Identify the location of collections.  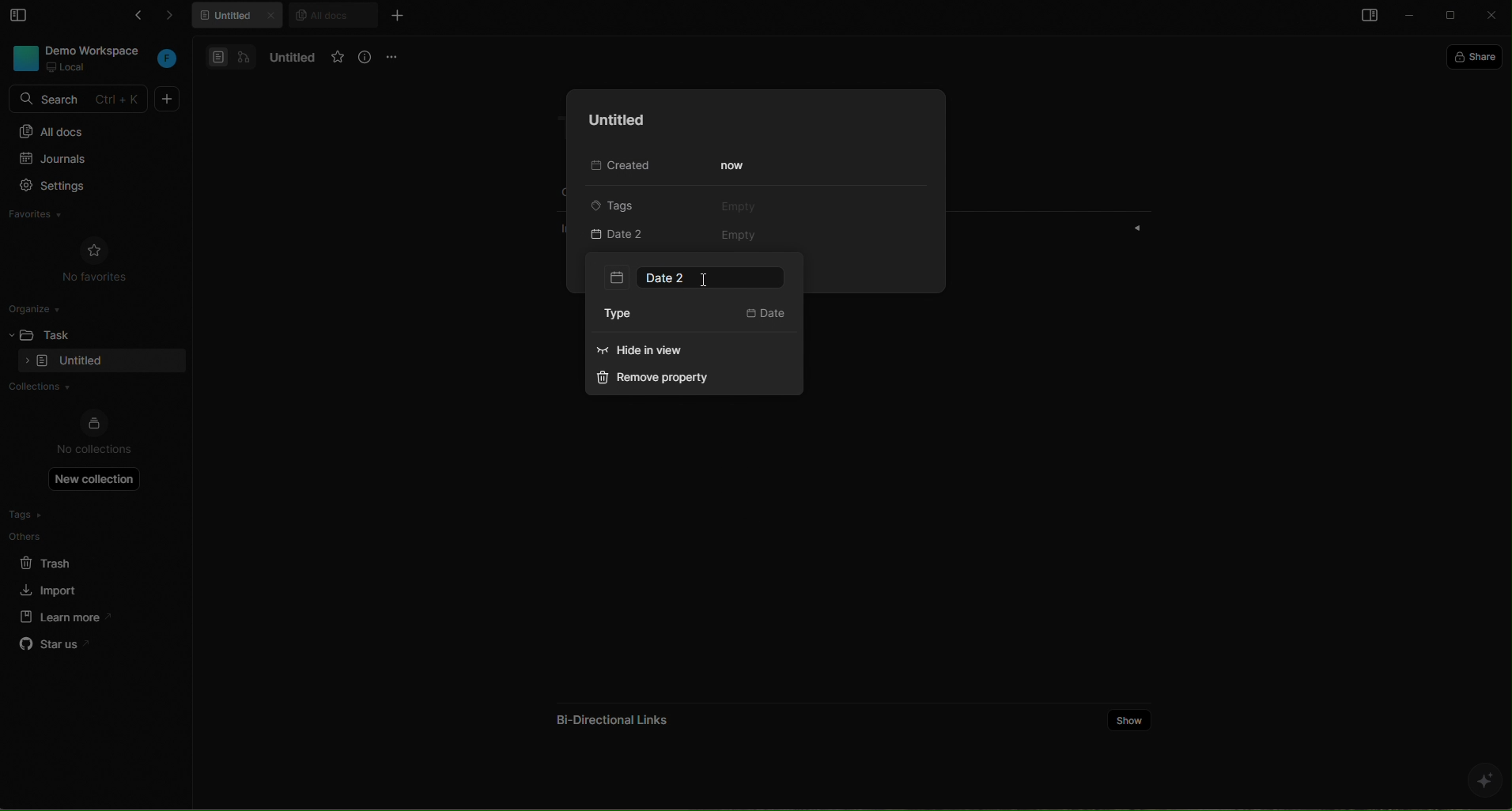
(89, 388).